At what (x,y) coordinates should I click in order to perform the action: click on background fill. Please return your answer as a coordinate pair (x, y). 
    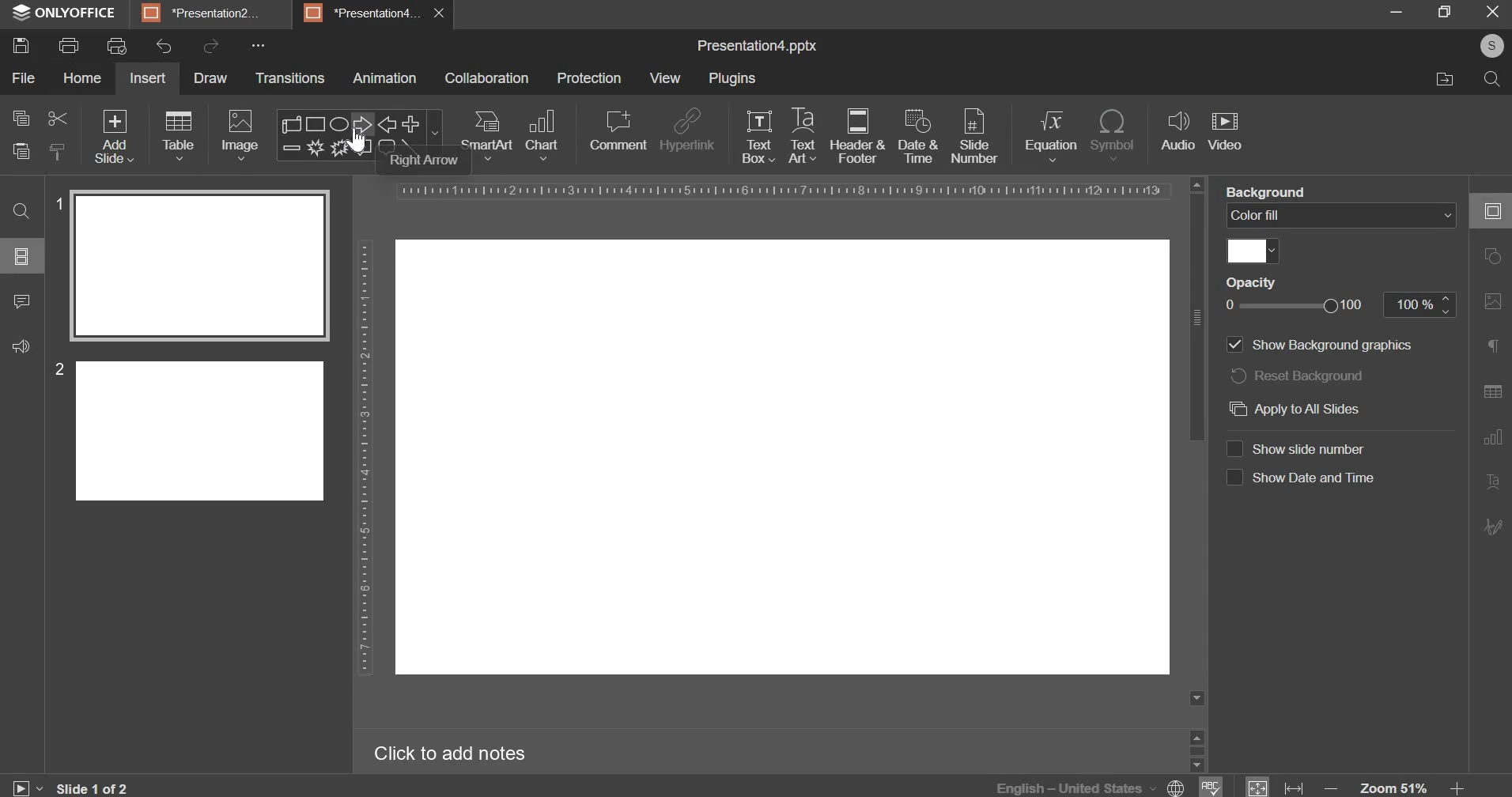
    Looking at the image, I should click on (1343, 214).